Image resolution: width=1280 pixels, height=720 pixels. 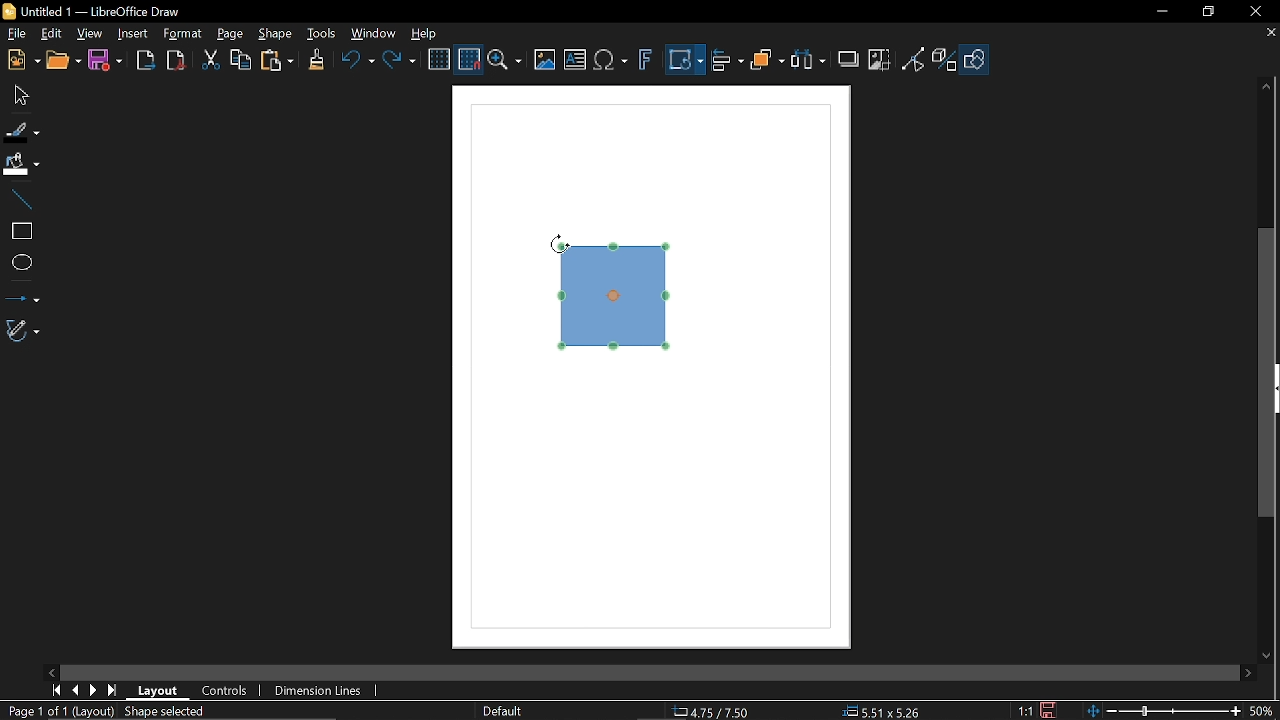 I want to click on Rectangle (selected diagram), so click(x=616, y=295).